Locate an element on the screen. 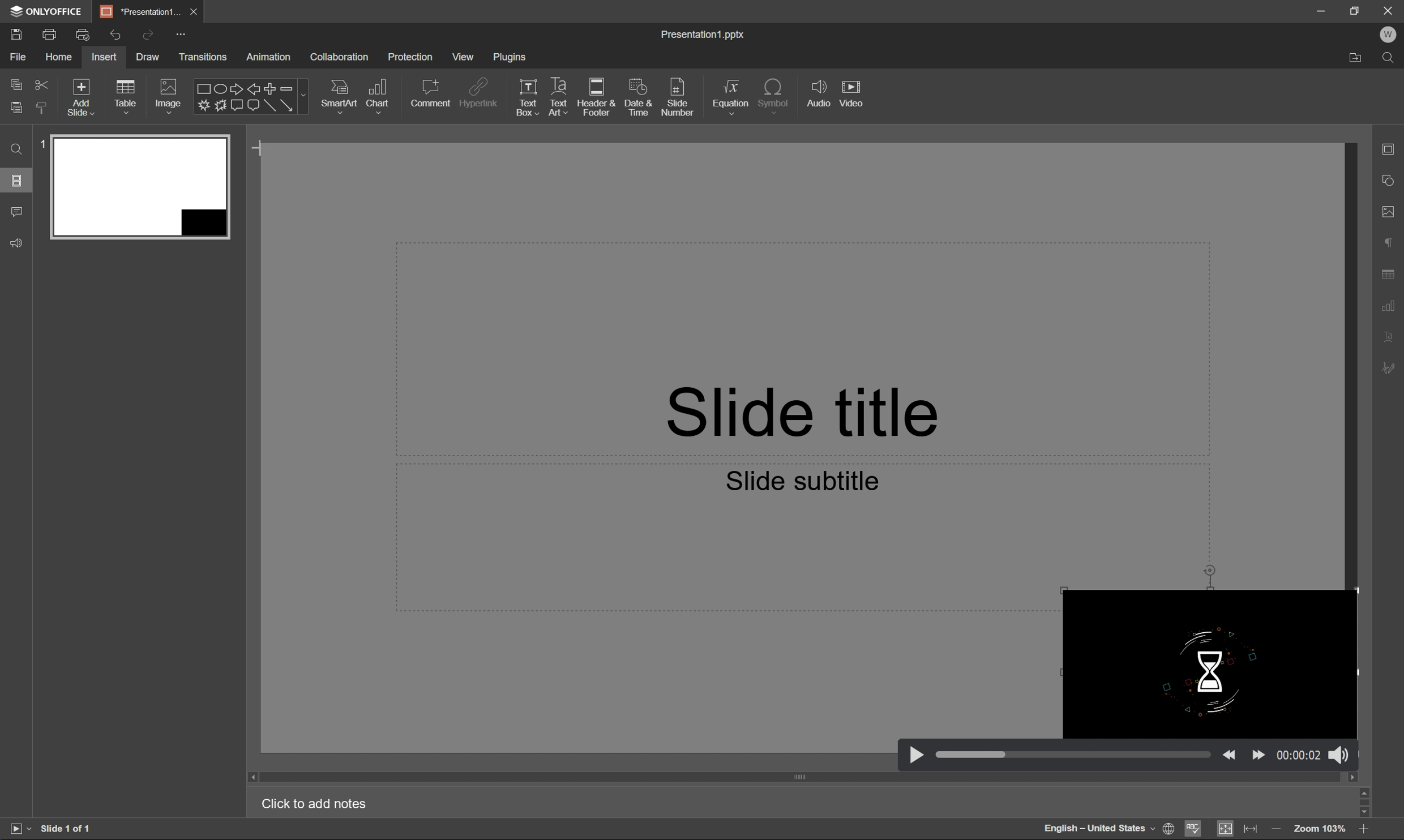 The width and height of the screenshot is (1404, 840). scroll bar is located at coordinates (805, 778).